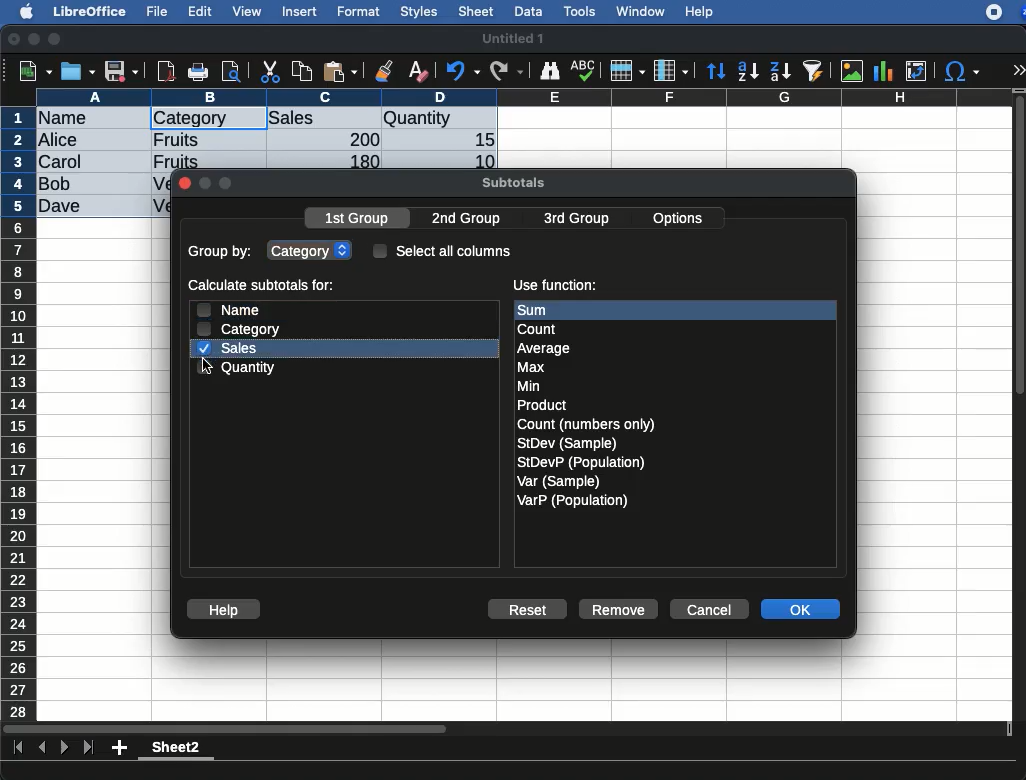  I want to click on sheet 2, so click(176, 750).